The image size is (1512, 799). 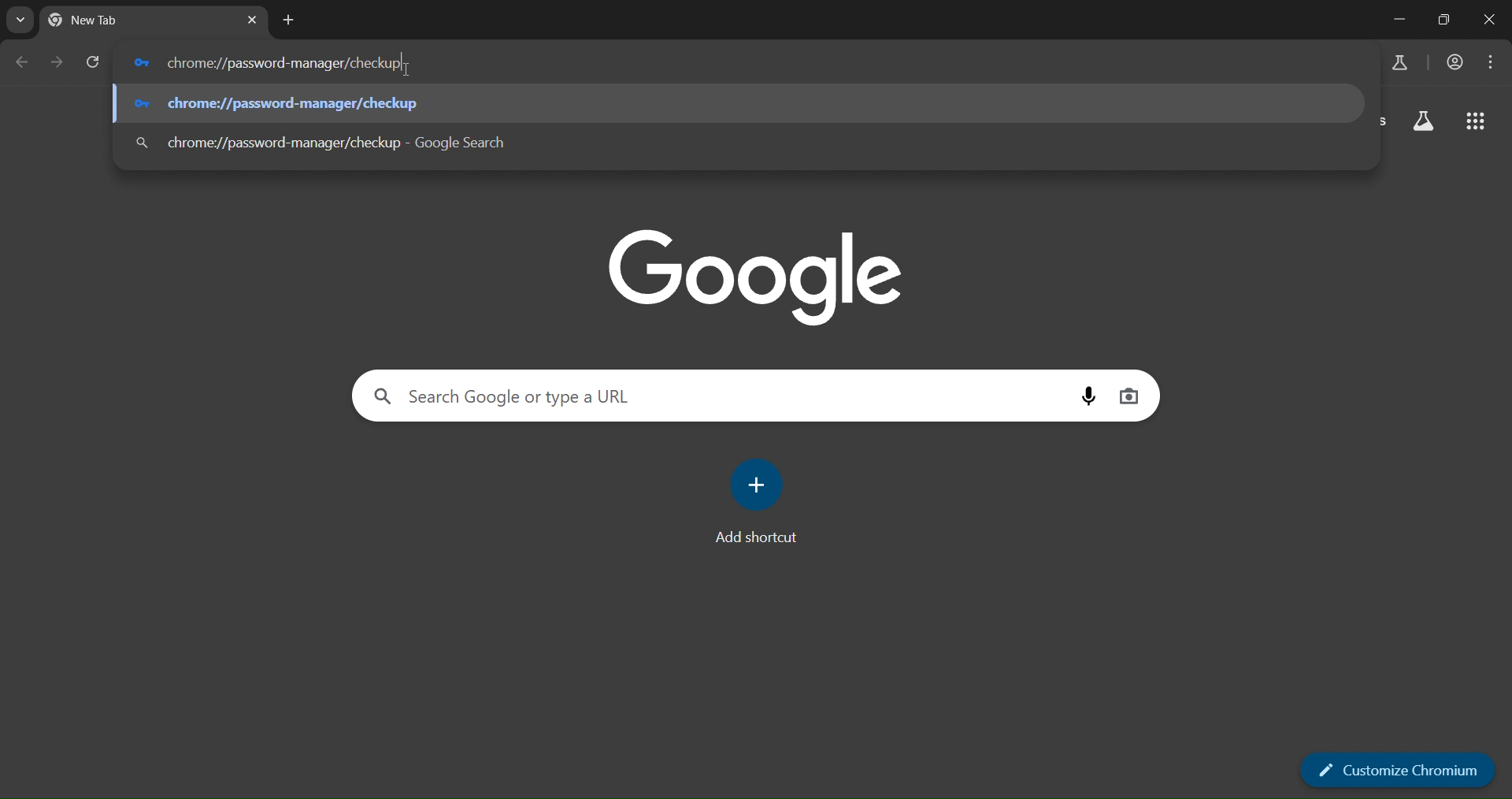 What do you see at coordinates (56, 62) in the screenshot?
I see `go forward one page` at bounding box center [56, 62].